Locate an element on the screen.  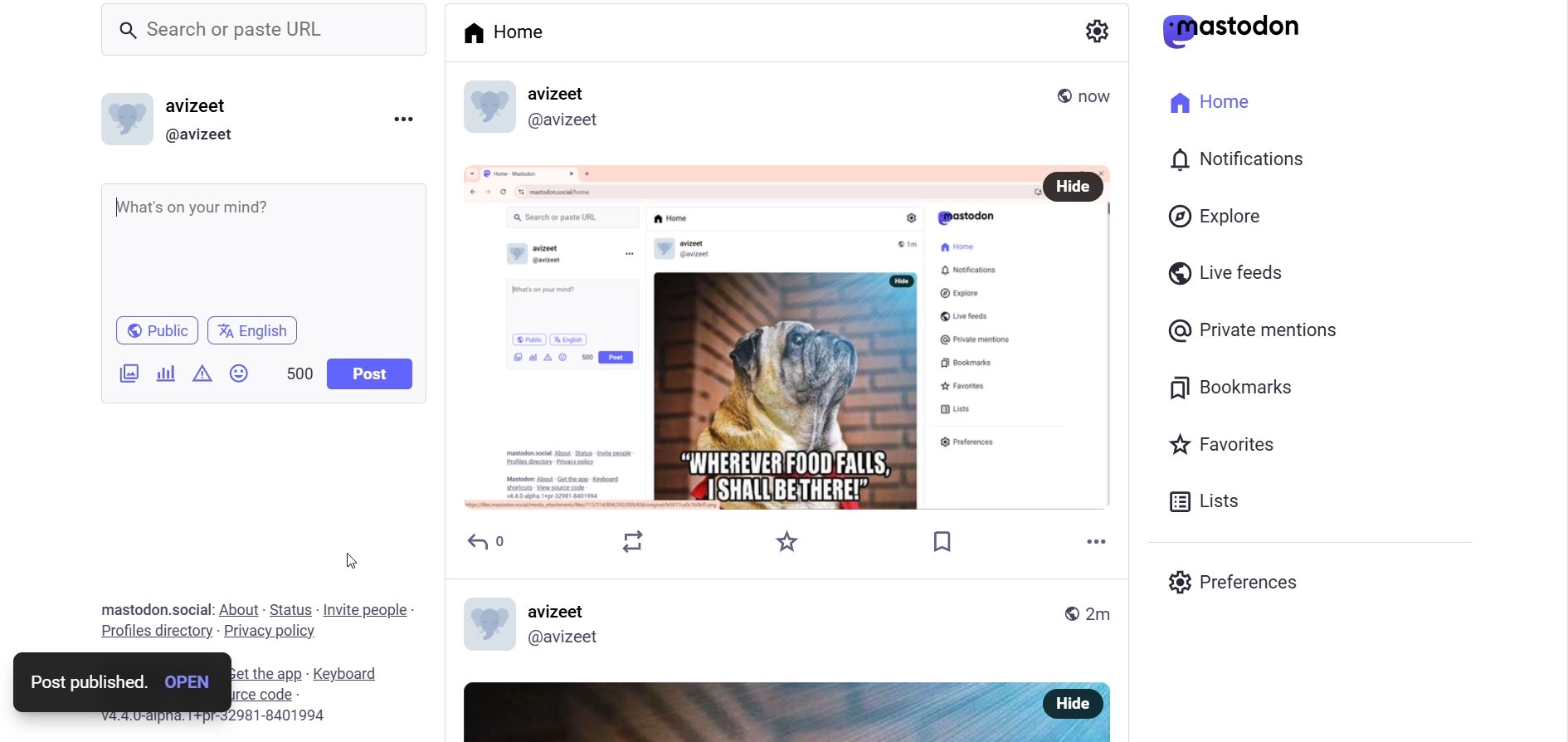
poll is located at coordinates (168, 373).